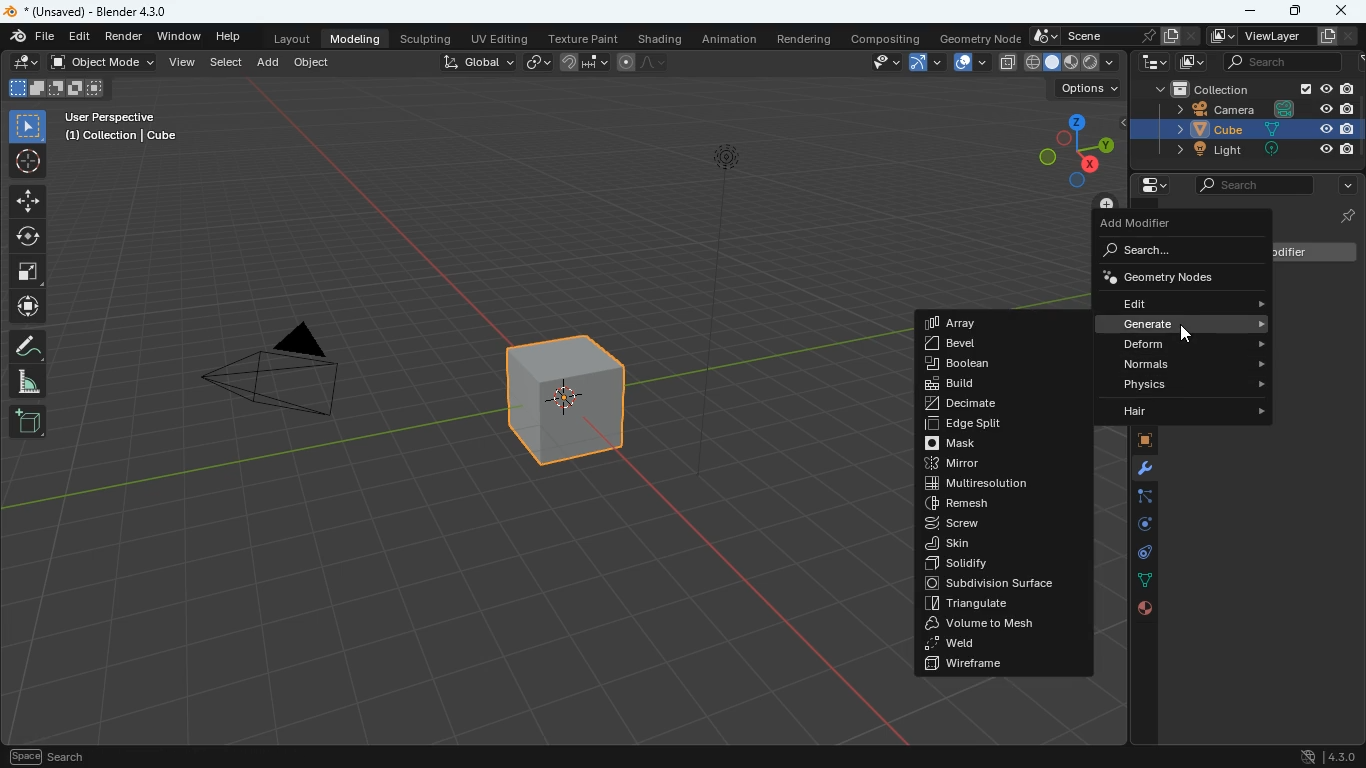  Describe the element at coordinates (1003, 465) in the screenshot. I see `mirror` at that location.